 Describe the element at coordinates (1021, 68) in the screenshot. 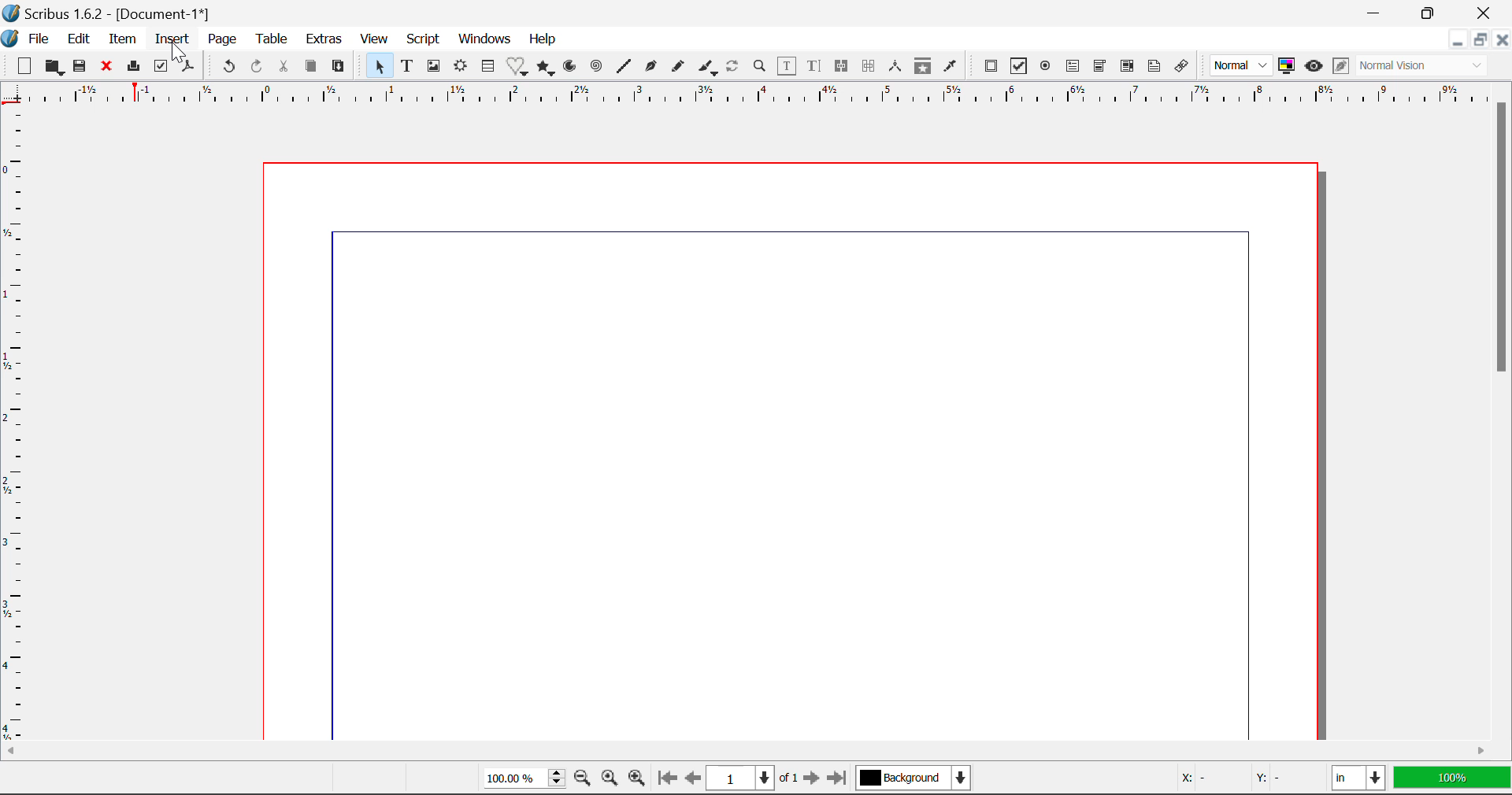

I see `Pdf Checkbox` at that location.